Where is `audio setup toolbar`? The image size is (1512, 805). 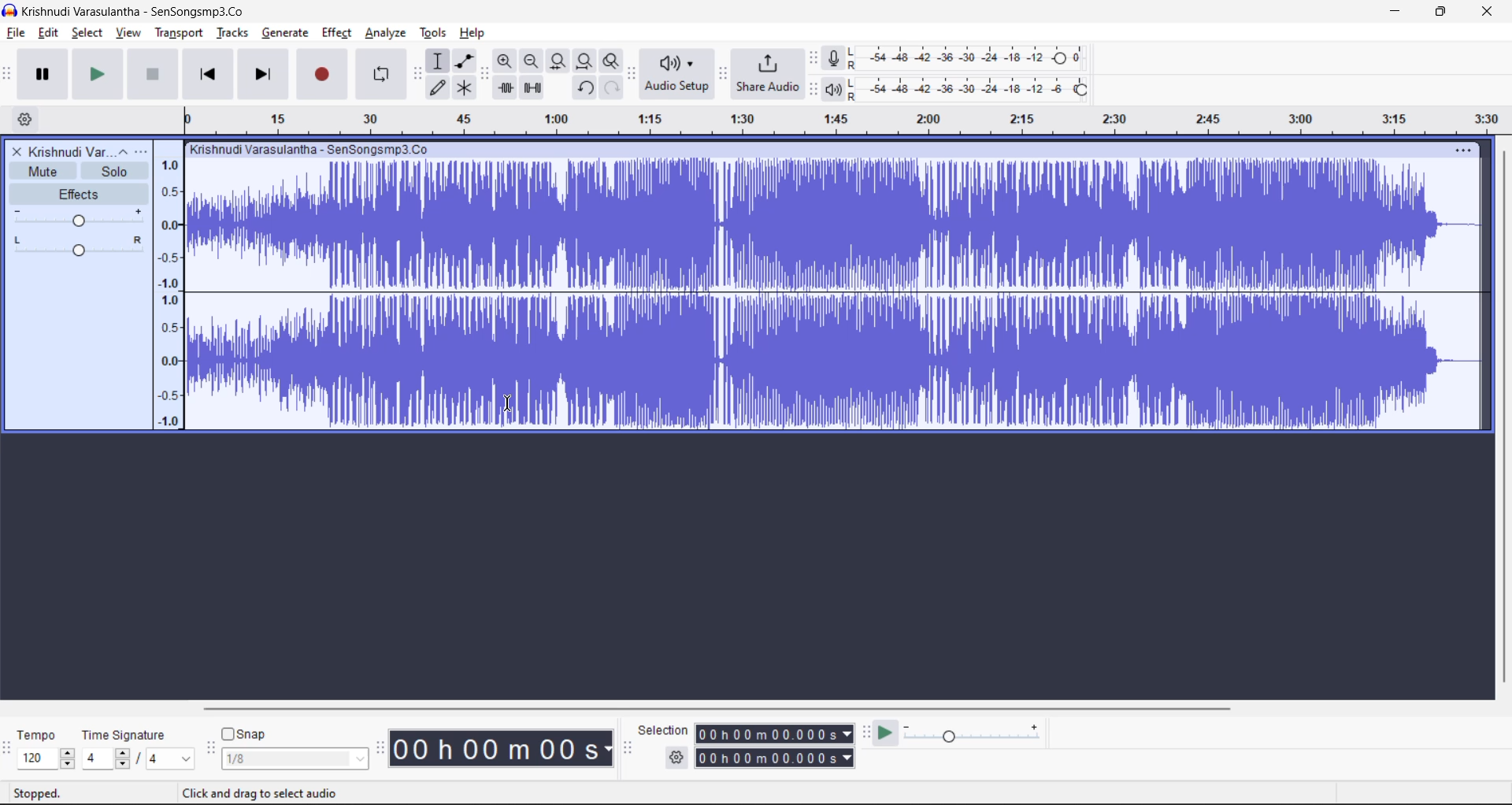 audio setup toolbar is located at coordinates (632, 75).